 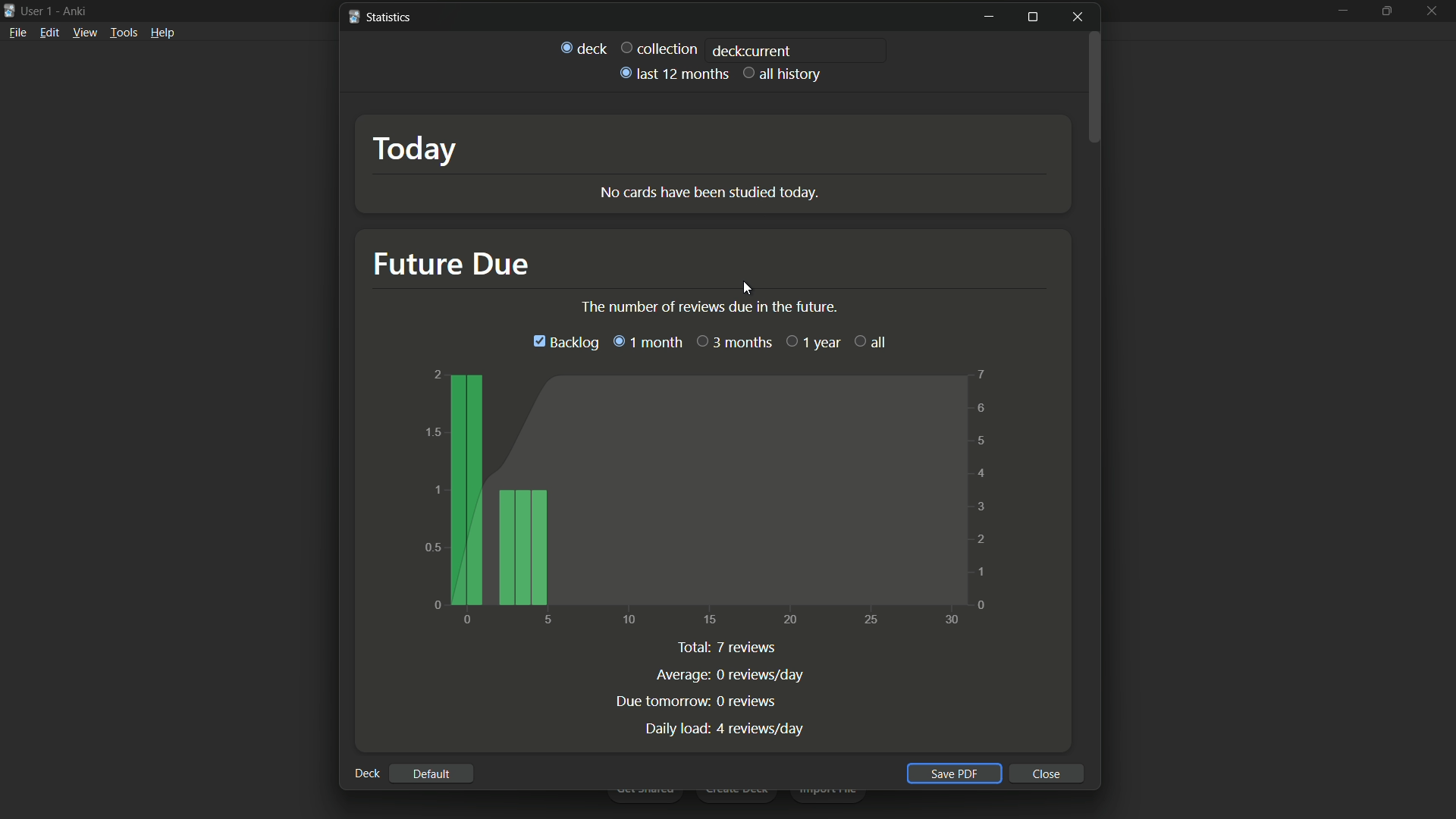 What do you see at coordinates (429, 774) in the screenshot?
I see `default` at bounding box center [429, 774].